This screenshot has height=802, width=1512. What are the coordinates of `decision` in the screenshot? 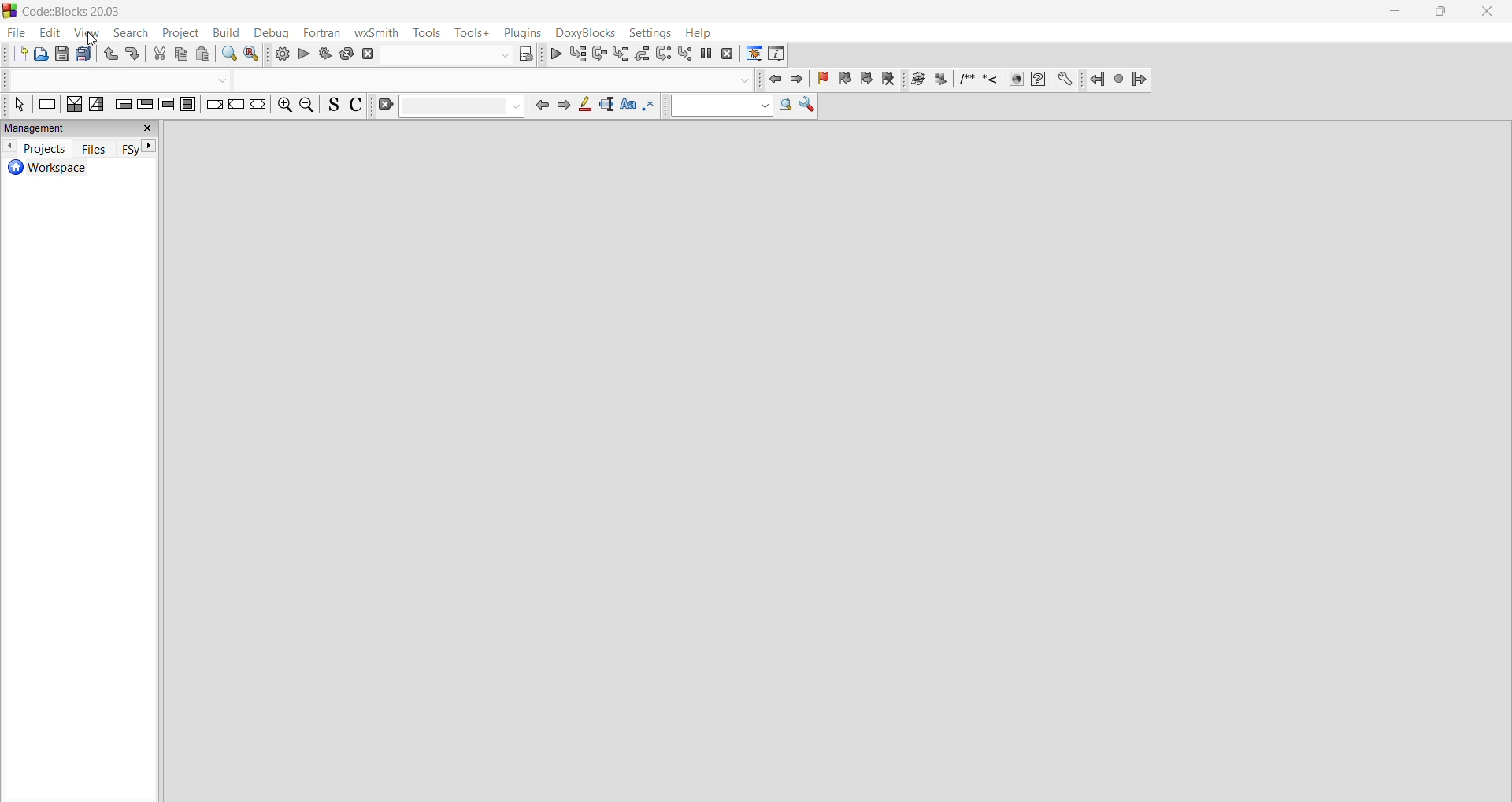 It's located at (72, 106).